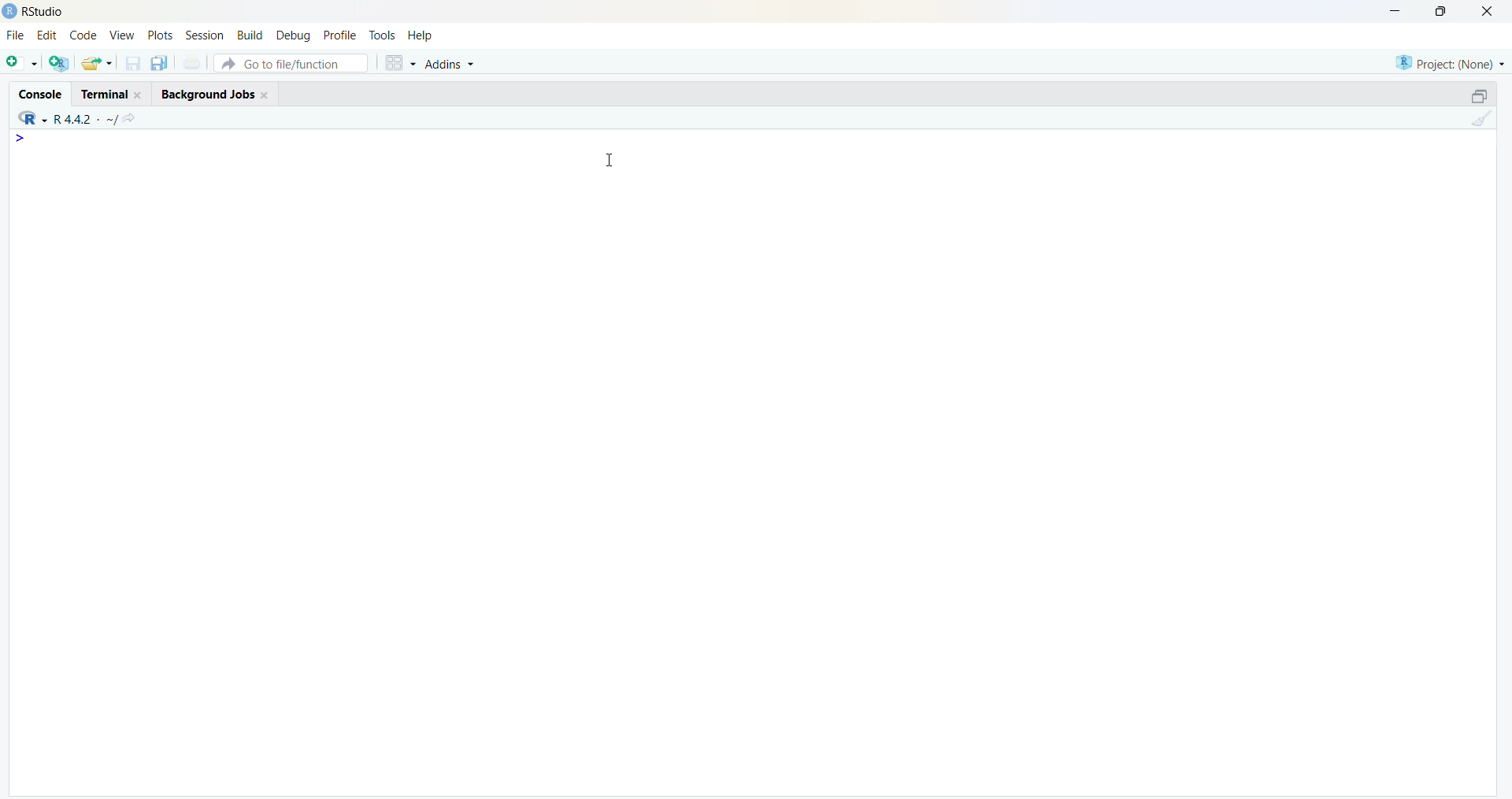 This screenshot has height=799, width=1512. Describe the element at coordinates (98, 63) in the screenshot. I see `share folder as` at that location.